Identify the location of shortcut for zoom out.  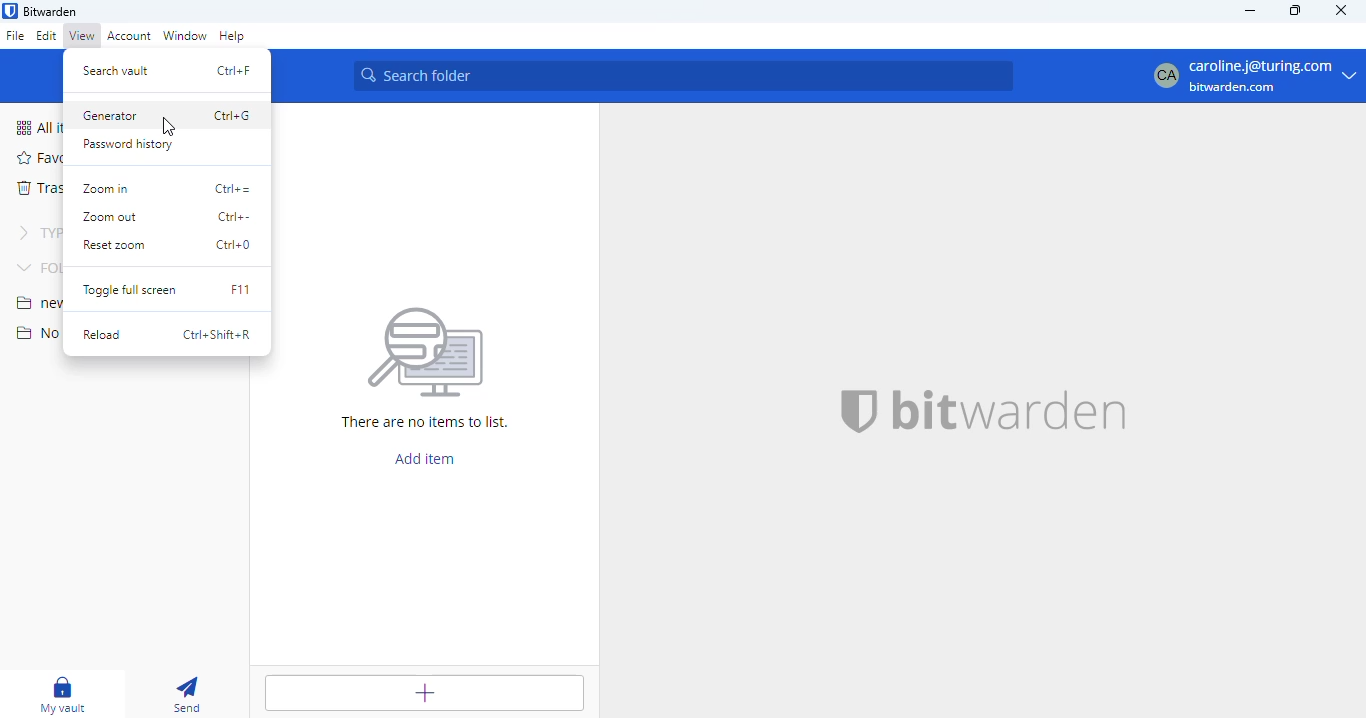
(234, 217).